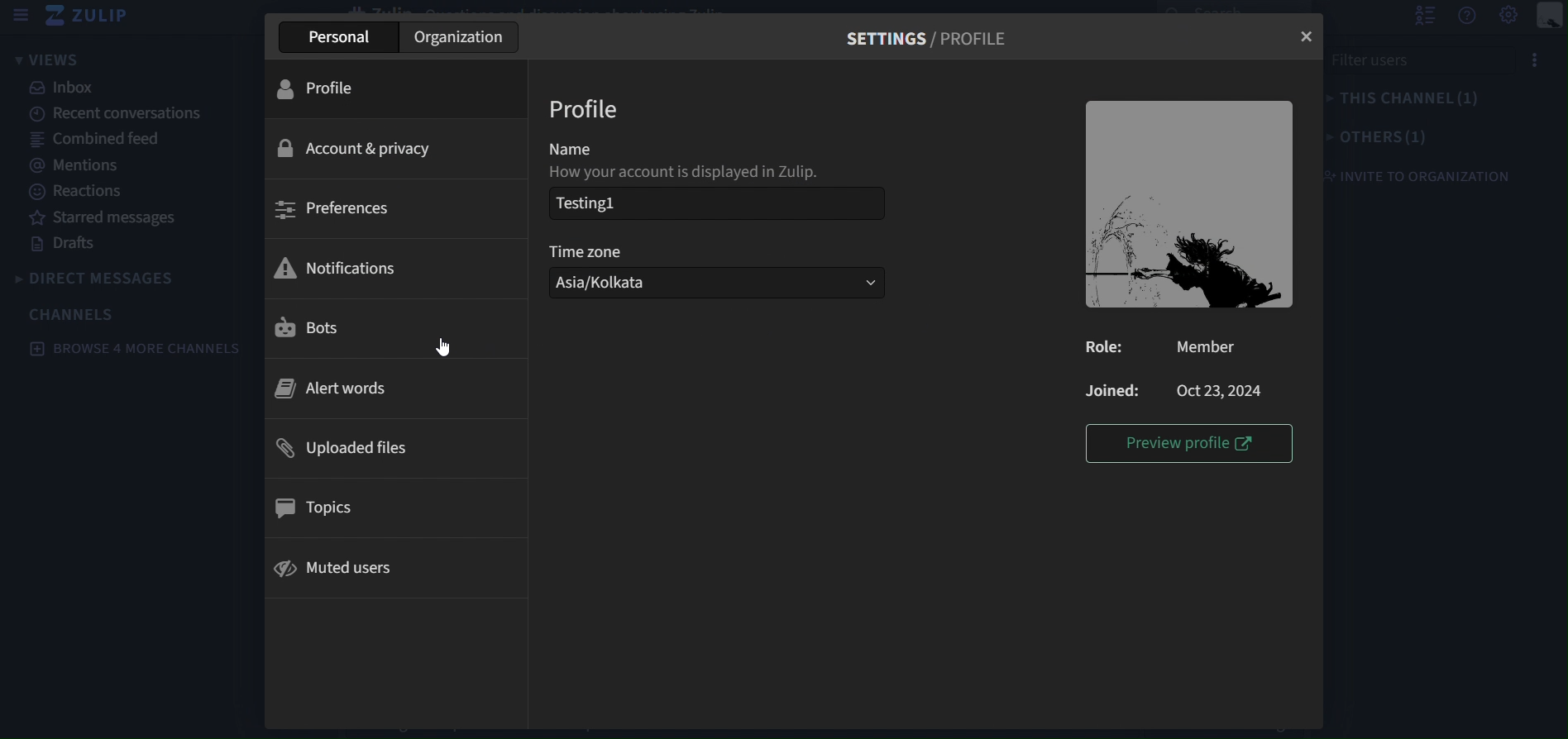 Image resolution: width=1568 pixels, height=739 pixels. I want to click on view, so click(48, 59).